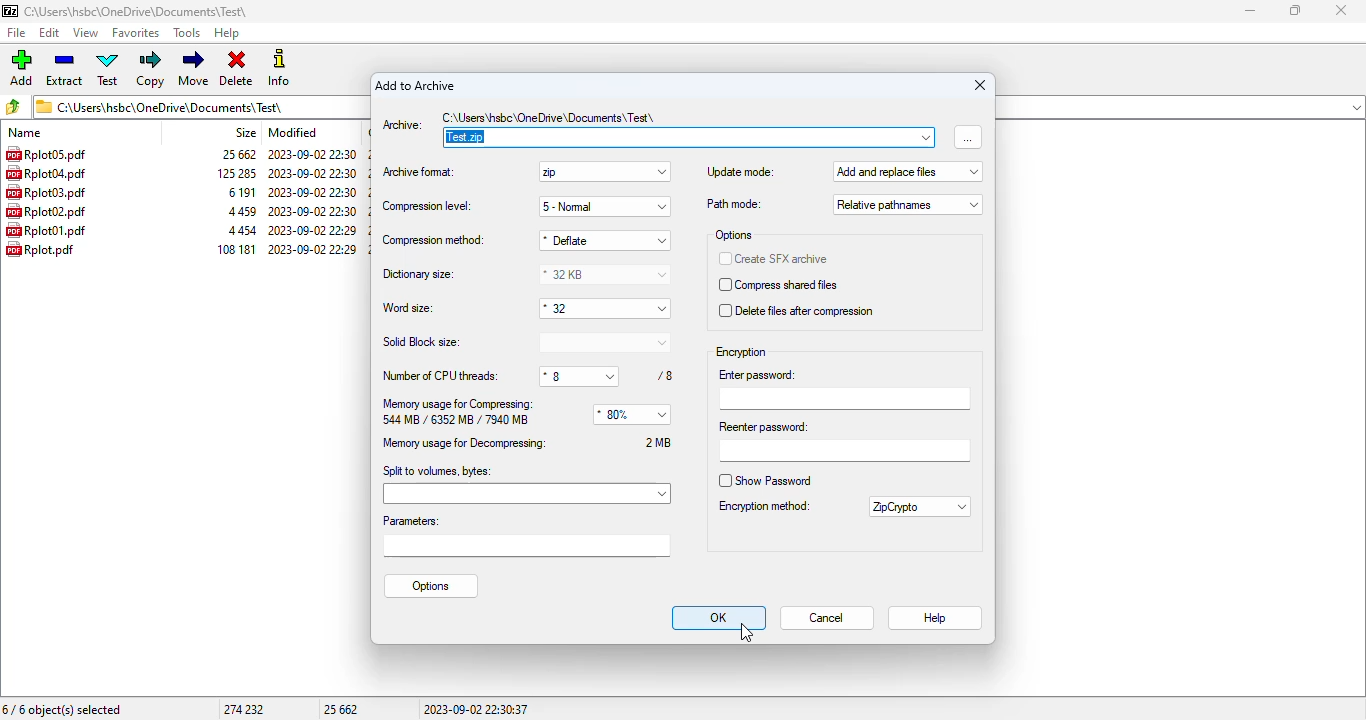  I want to click on cancel, so click(826, 619).